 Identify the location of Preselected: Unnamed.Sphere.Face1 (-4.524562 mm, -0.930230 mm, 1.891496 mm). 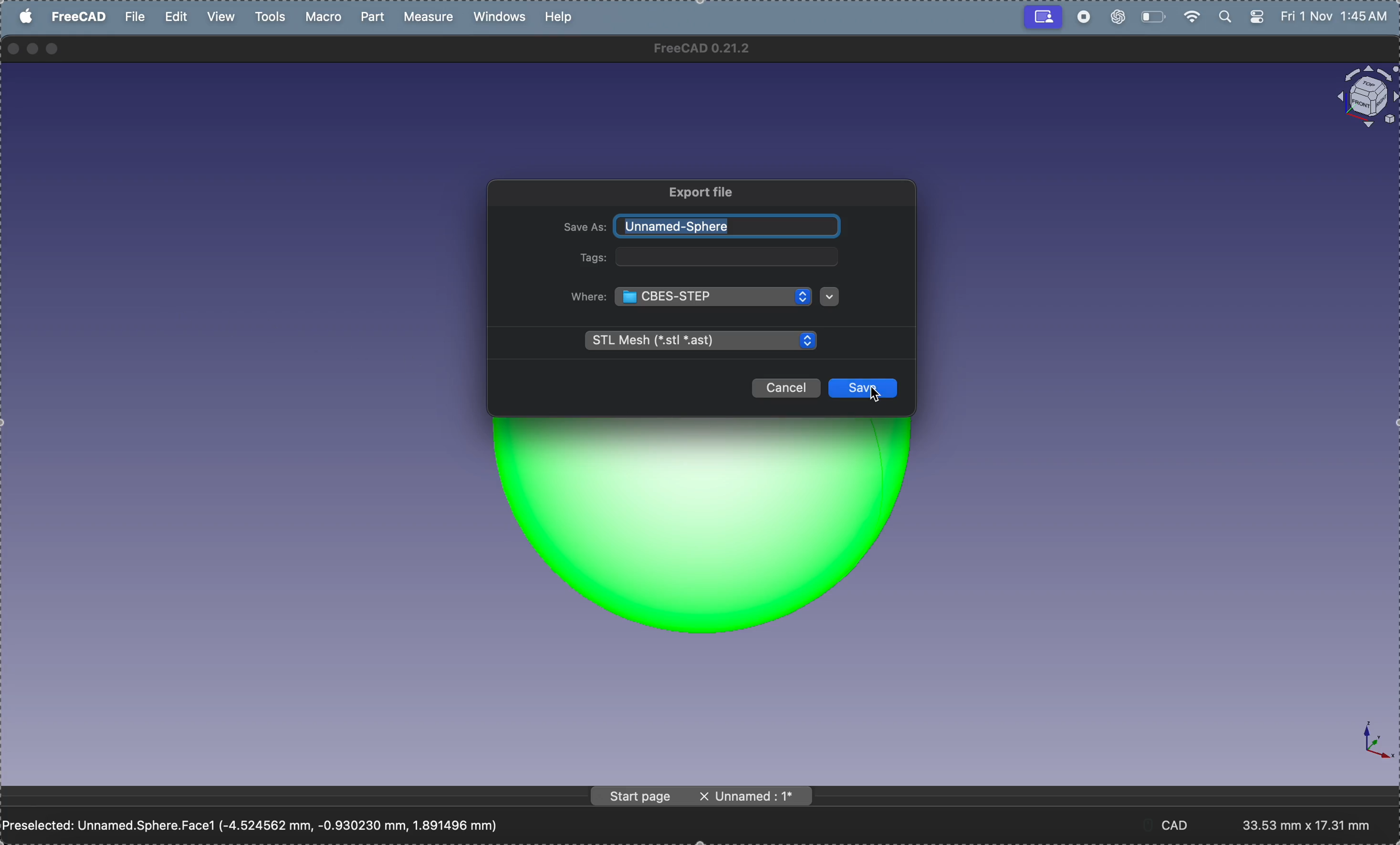
(261, 823).